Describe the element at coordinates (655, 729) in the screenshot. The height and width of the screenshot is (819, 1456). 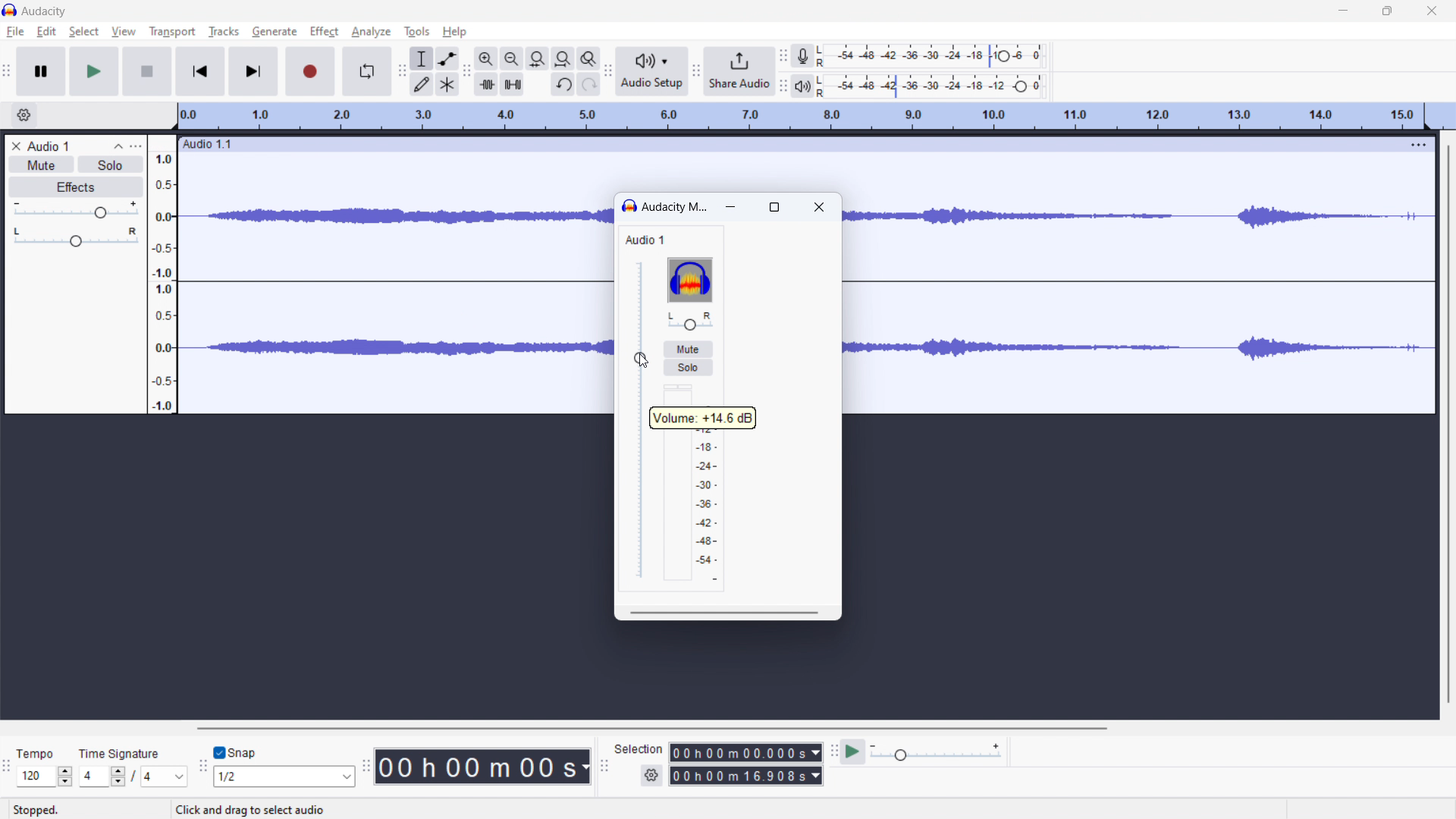
I see `horizontal scrollbar` at that location.